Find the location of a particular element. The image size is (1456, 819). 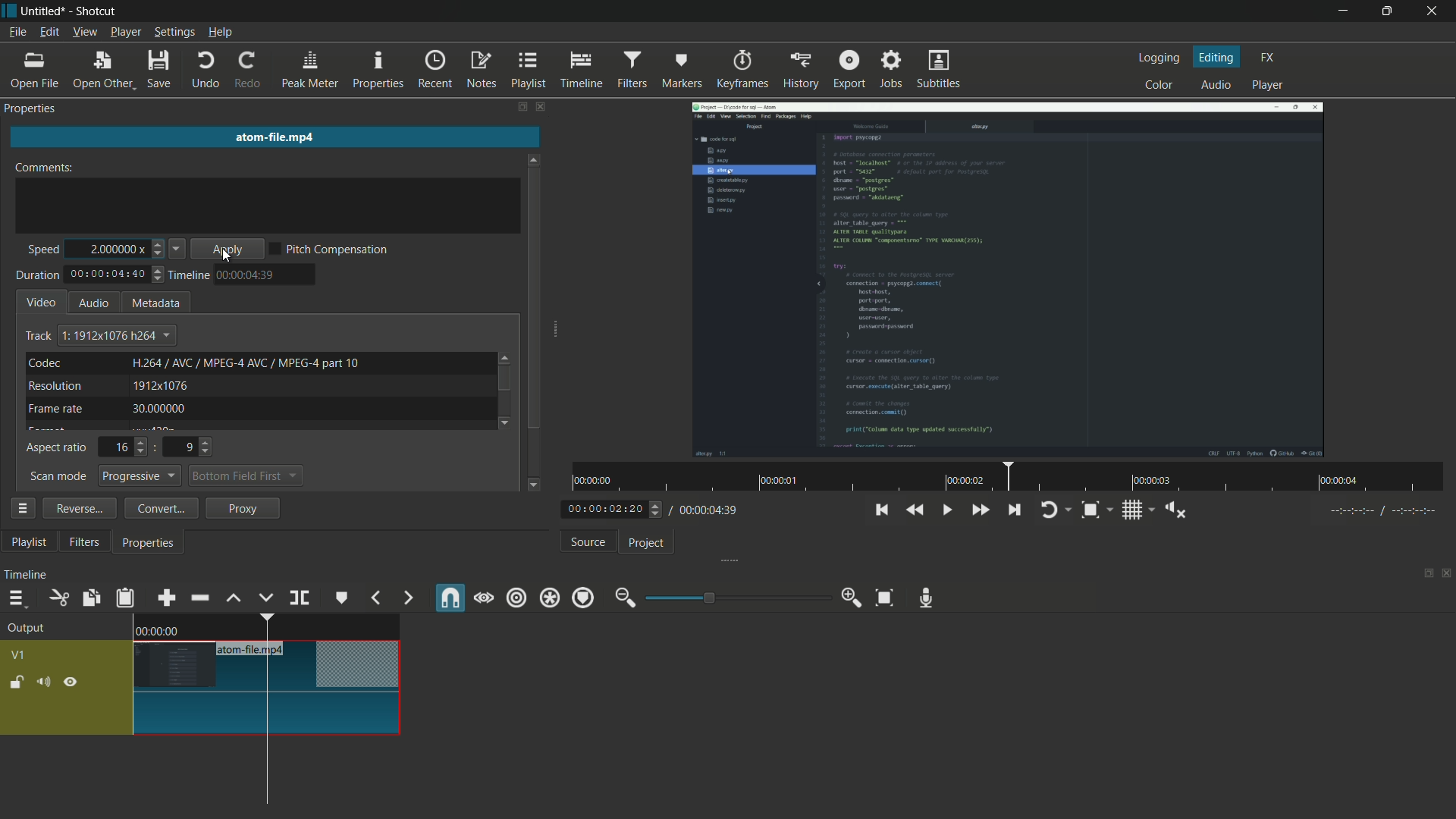

audio is located at coordinates (93, 303).